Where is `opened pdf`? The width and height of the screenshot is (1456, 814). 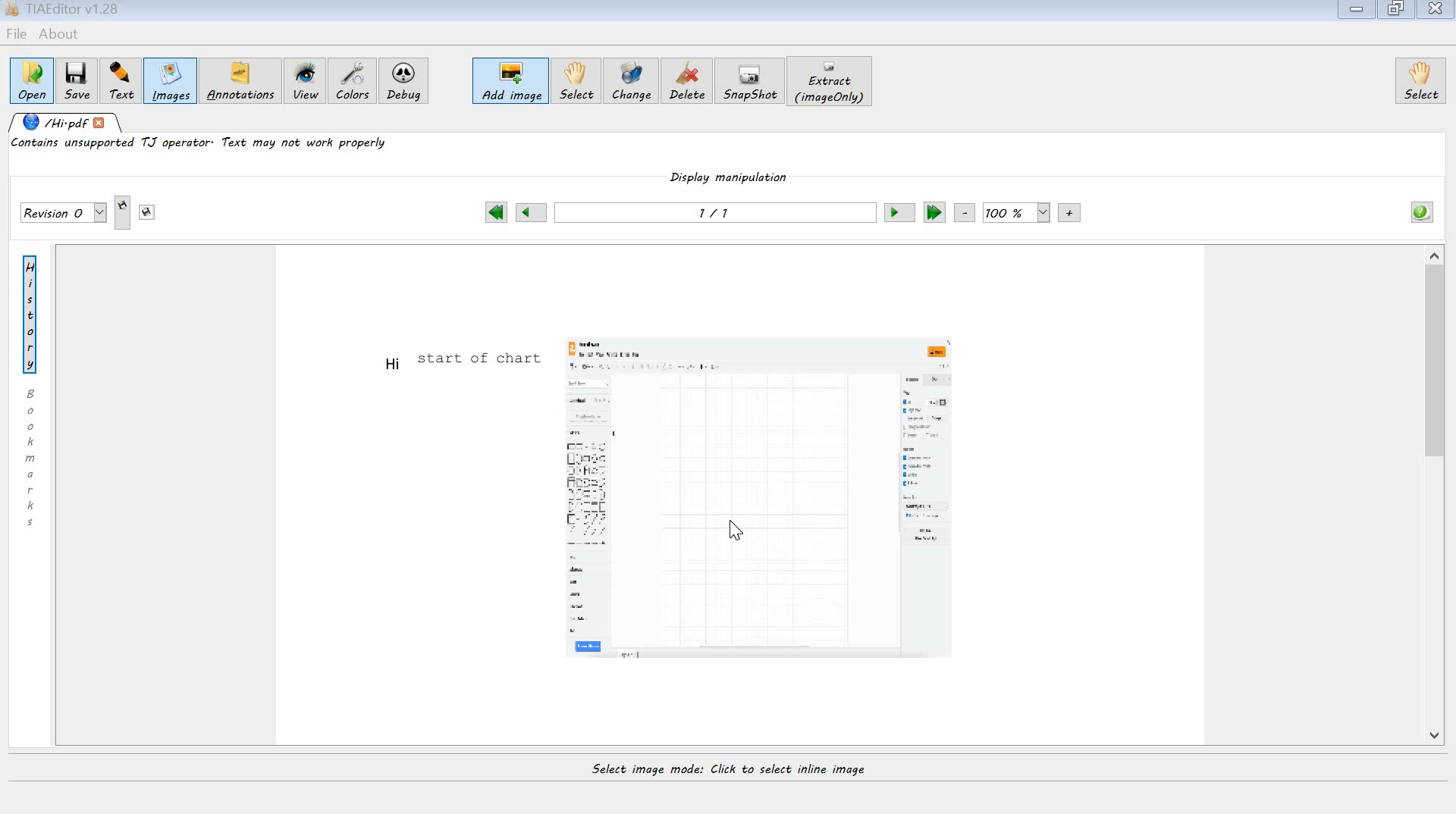 opened pdf is located at coordinates (67, 124).